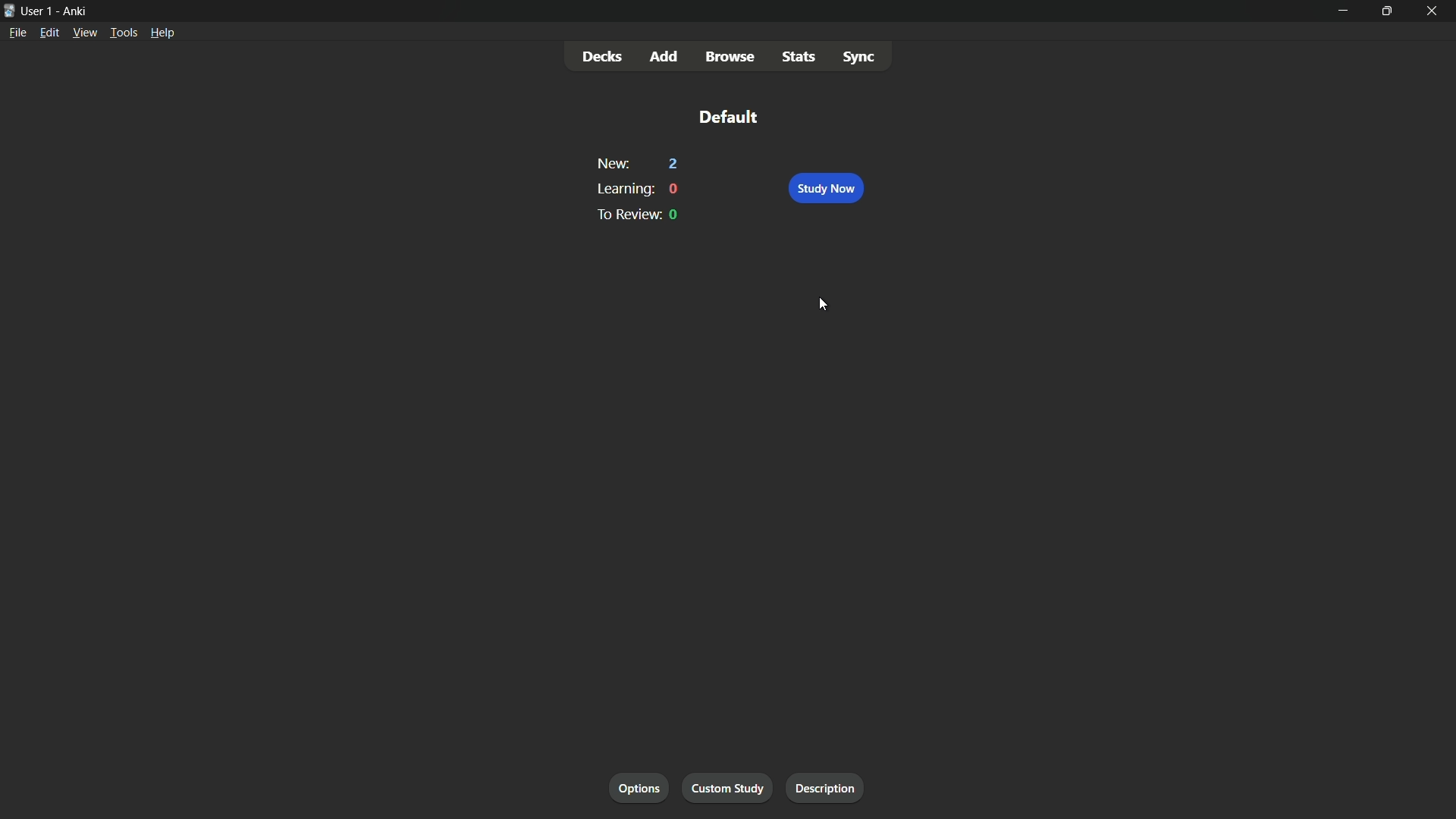 This screenshot has height=819, width=1456. What do you see at coordinates (662, 56) in the screenshot?
I see `add` at bounding box center [662, 56].